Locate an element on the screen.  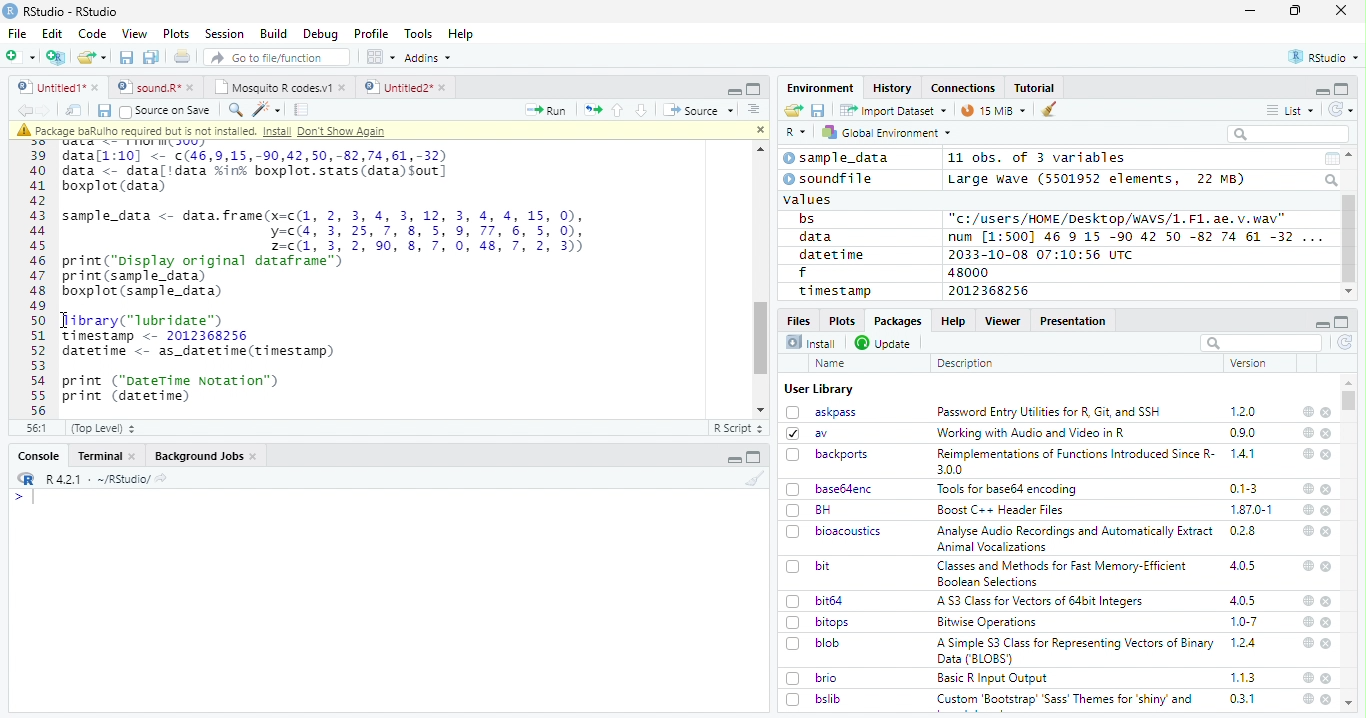
4.0.5 is located at coordinates (1243, 600).